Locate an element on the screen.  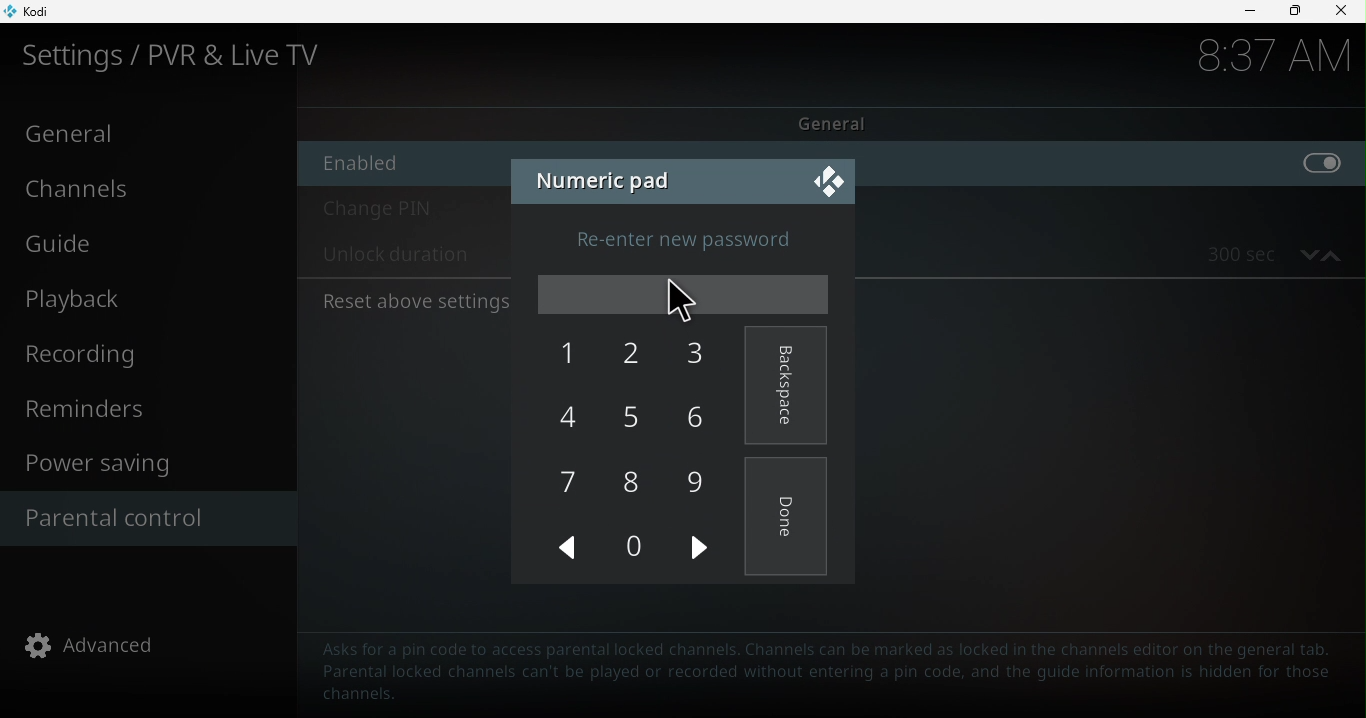
General is located at coordinates (145, 134).